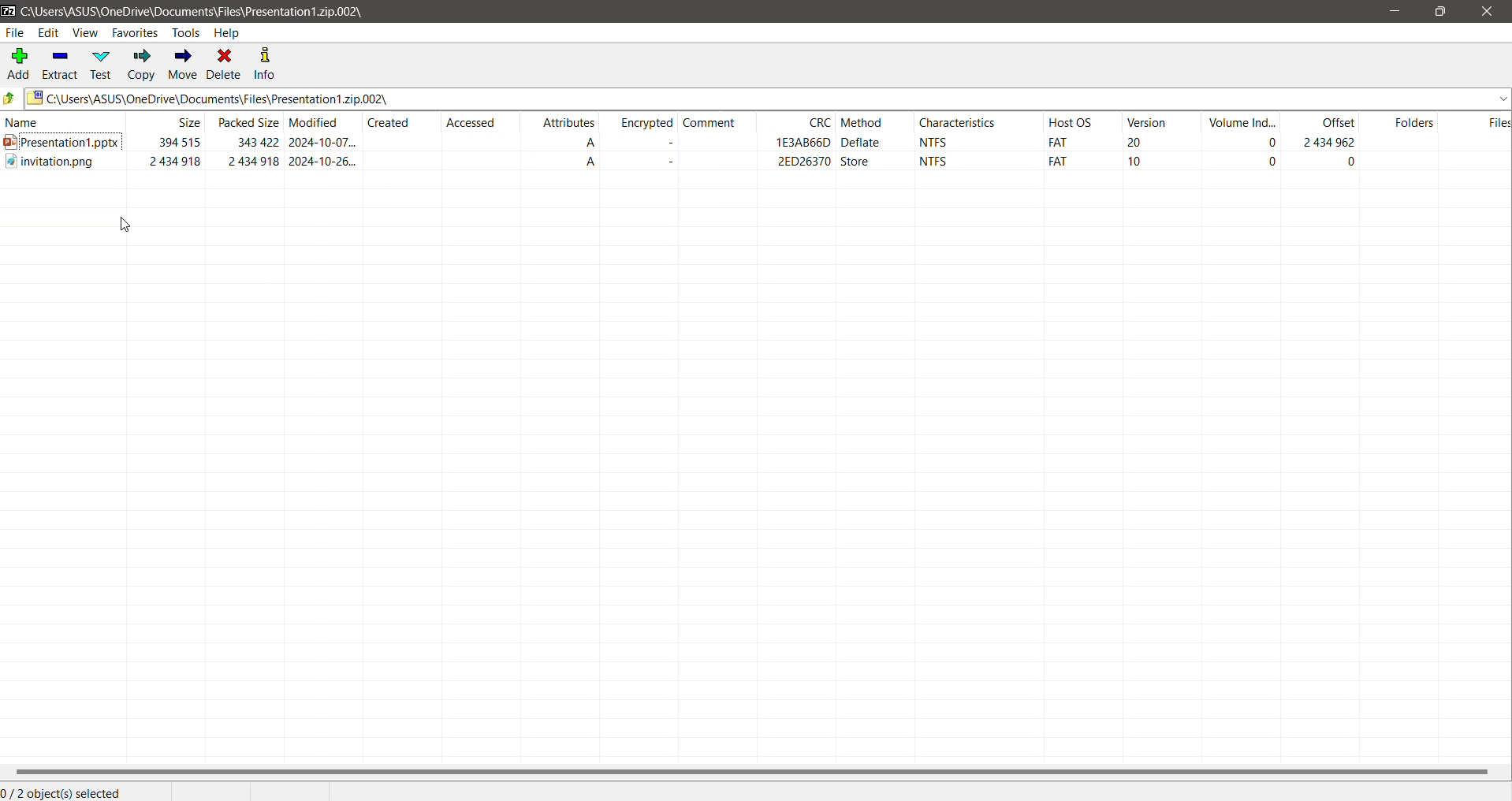 This screenshot has height=801, width=1512. I want to click on Minimize, so click(1391, 11).